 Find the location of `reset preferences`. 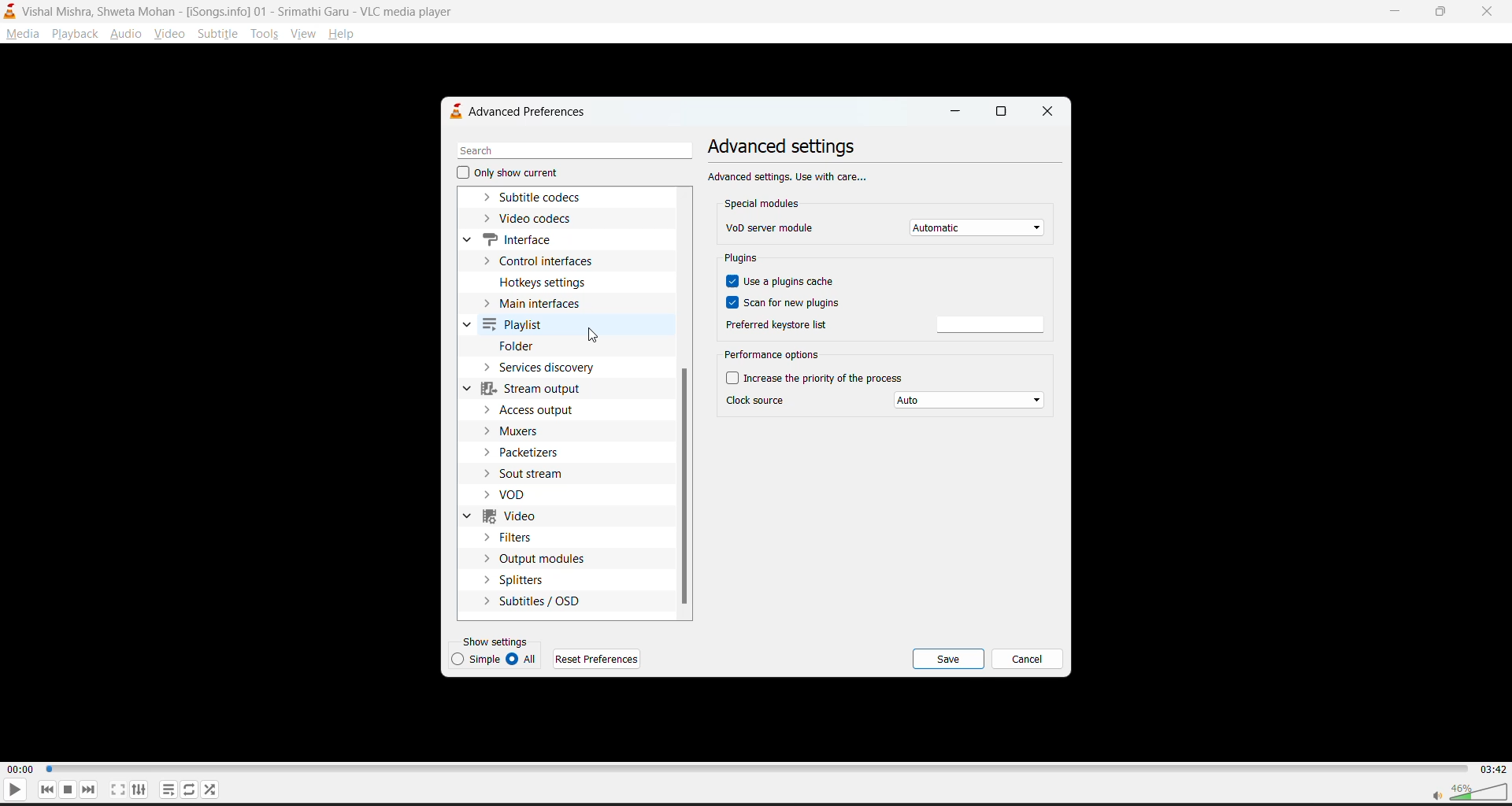

reset preferences is located at coordinates (595, 660).